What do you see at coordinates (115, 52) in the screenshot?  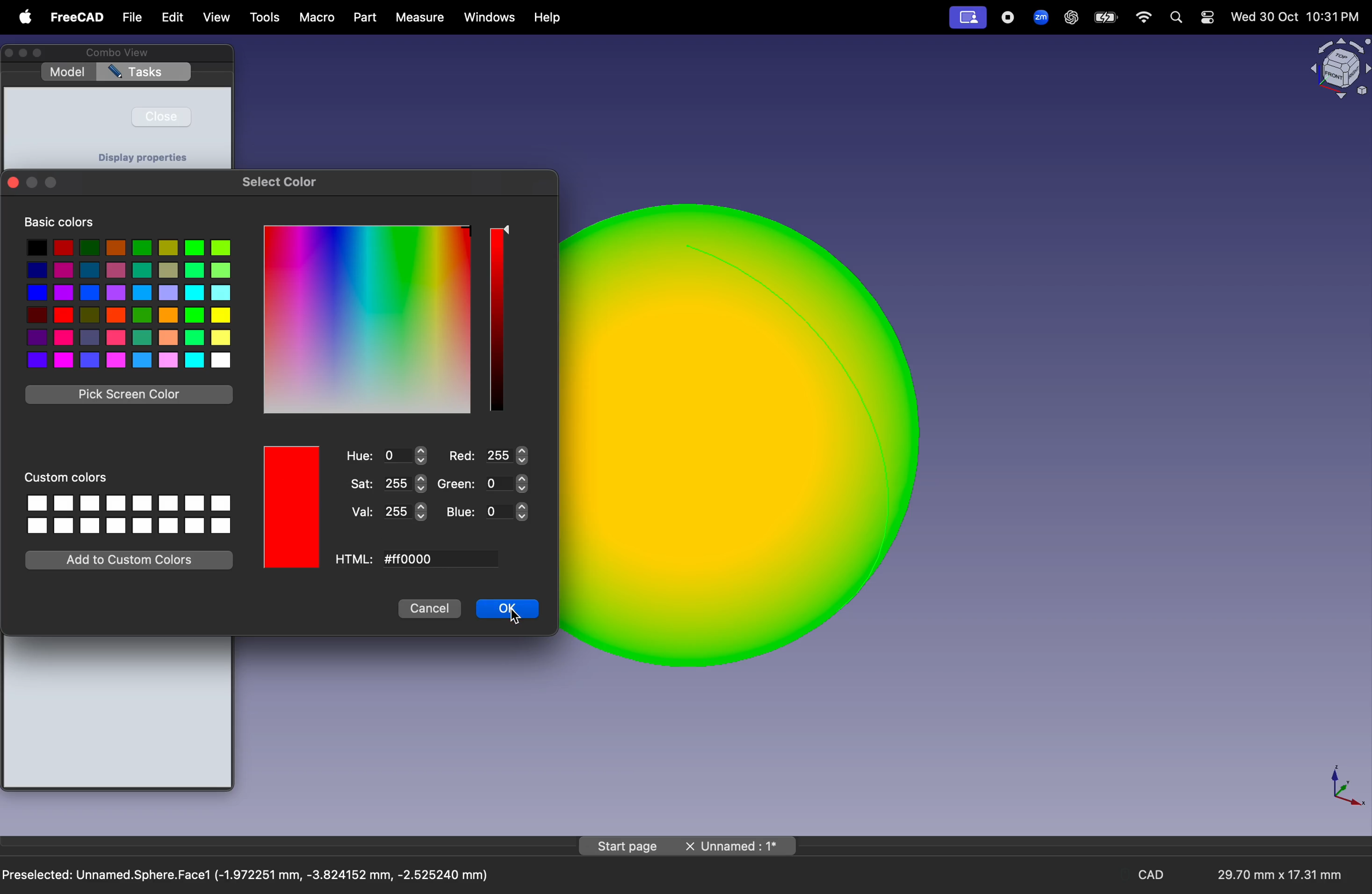 I see `Combo view` at bounding box center [115, 52].